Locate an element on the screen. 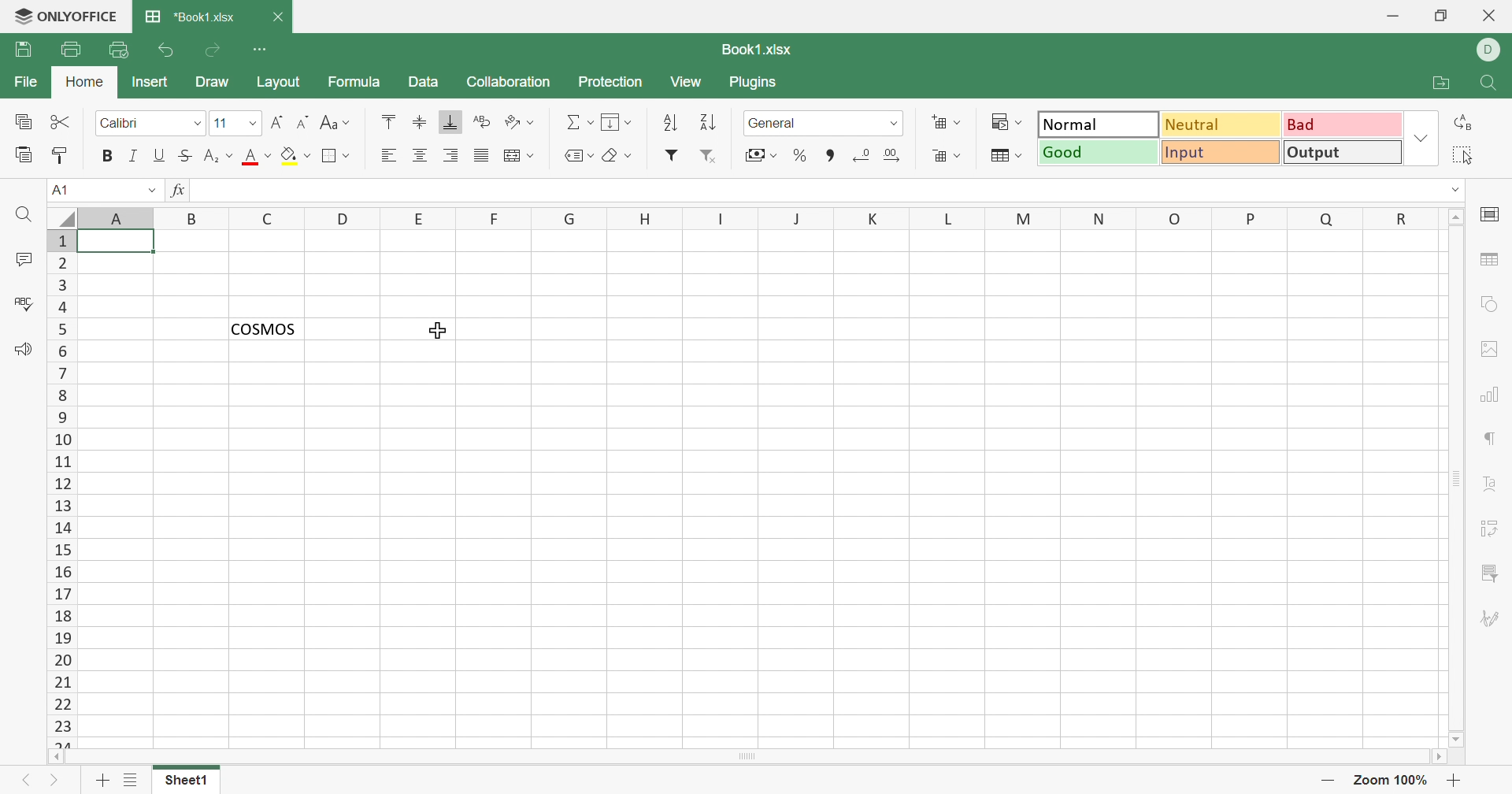 The width and height of the screenshot is (1512, 794). Fill is located at coordinates (618, 123).